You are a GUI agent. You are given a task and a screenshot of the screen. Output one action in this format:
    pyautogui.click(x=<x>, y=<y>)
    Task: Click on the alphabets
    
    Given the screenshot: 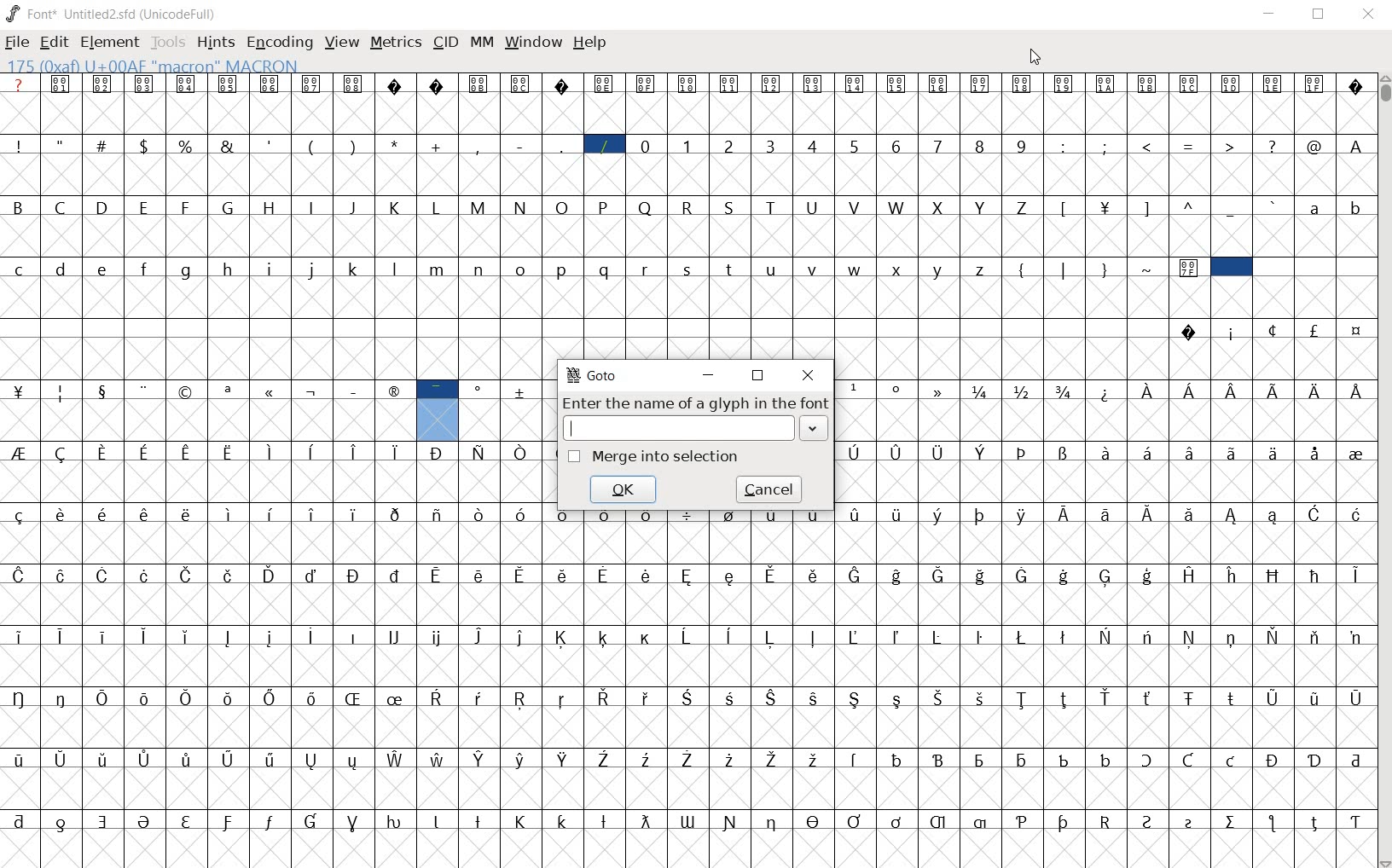 What is the action you would take?
    pyautogui.click(x=498, y=289)
    